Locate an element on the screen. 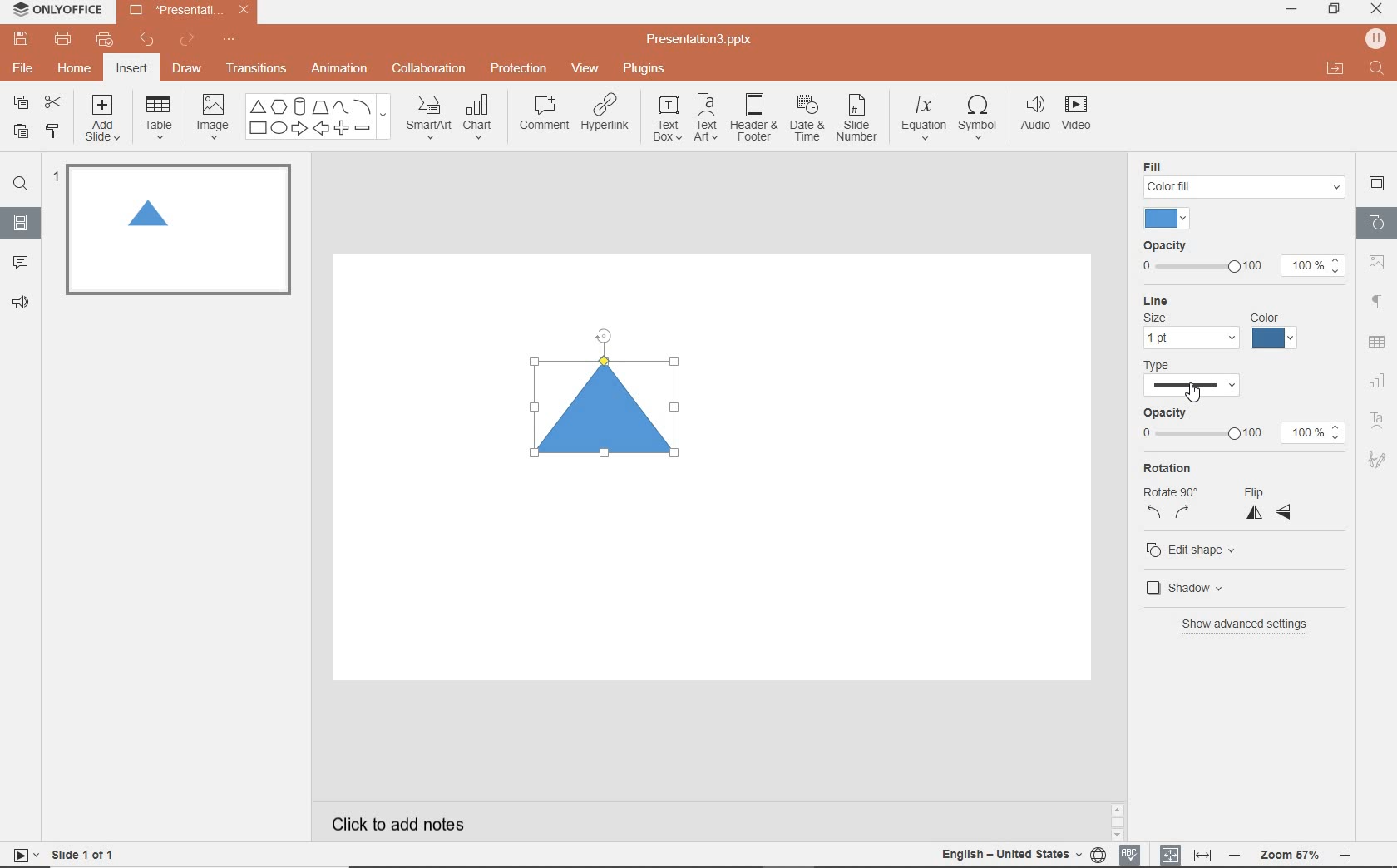 The image size is (1397, 868). COPY STYLE is located at coordinates (54, 131).